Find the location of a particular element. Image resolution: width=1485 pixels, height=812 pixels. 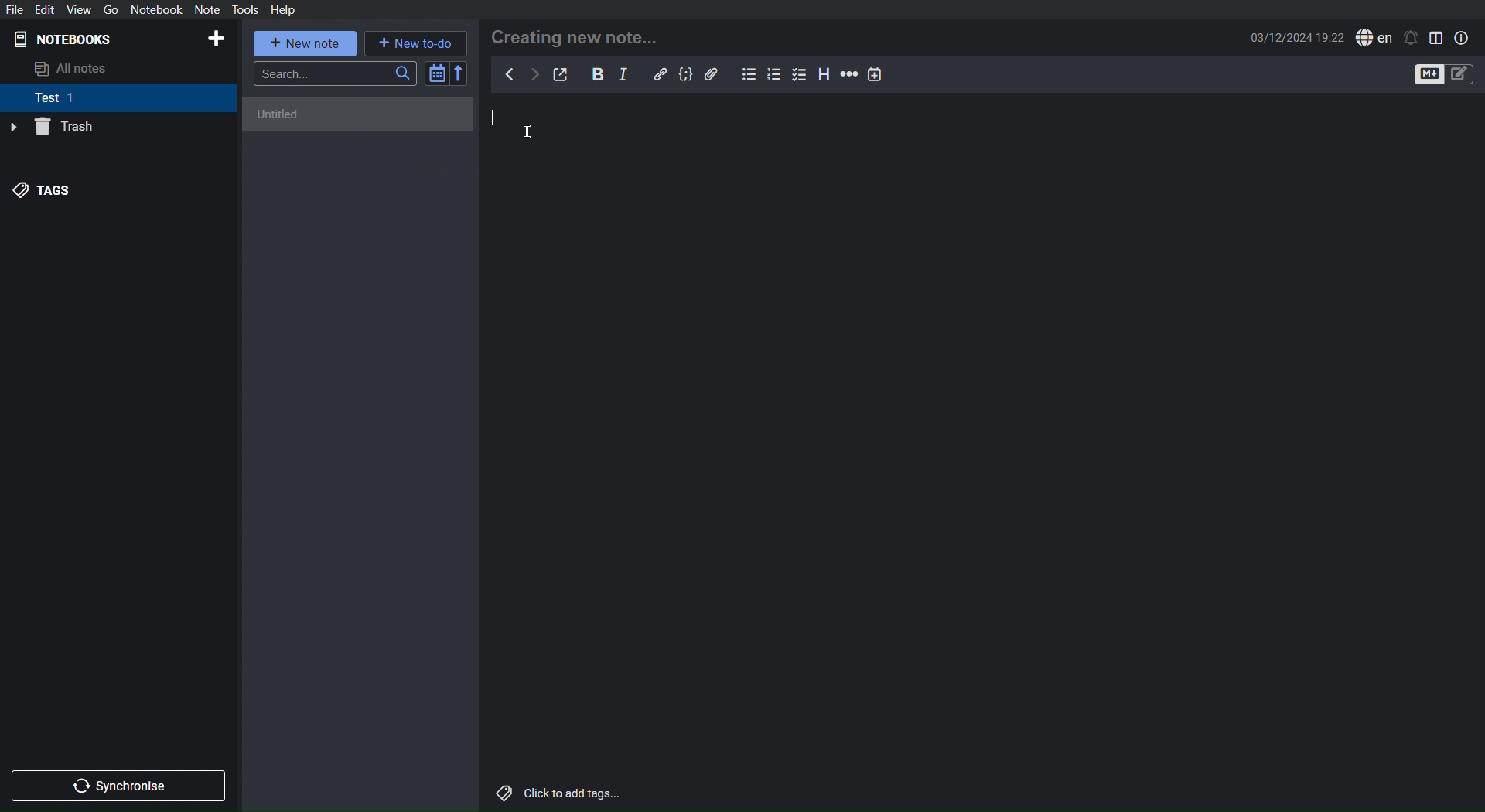

Numbered List is located at coordinates (773, 74).